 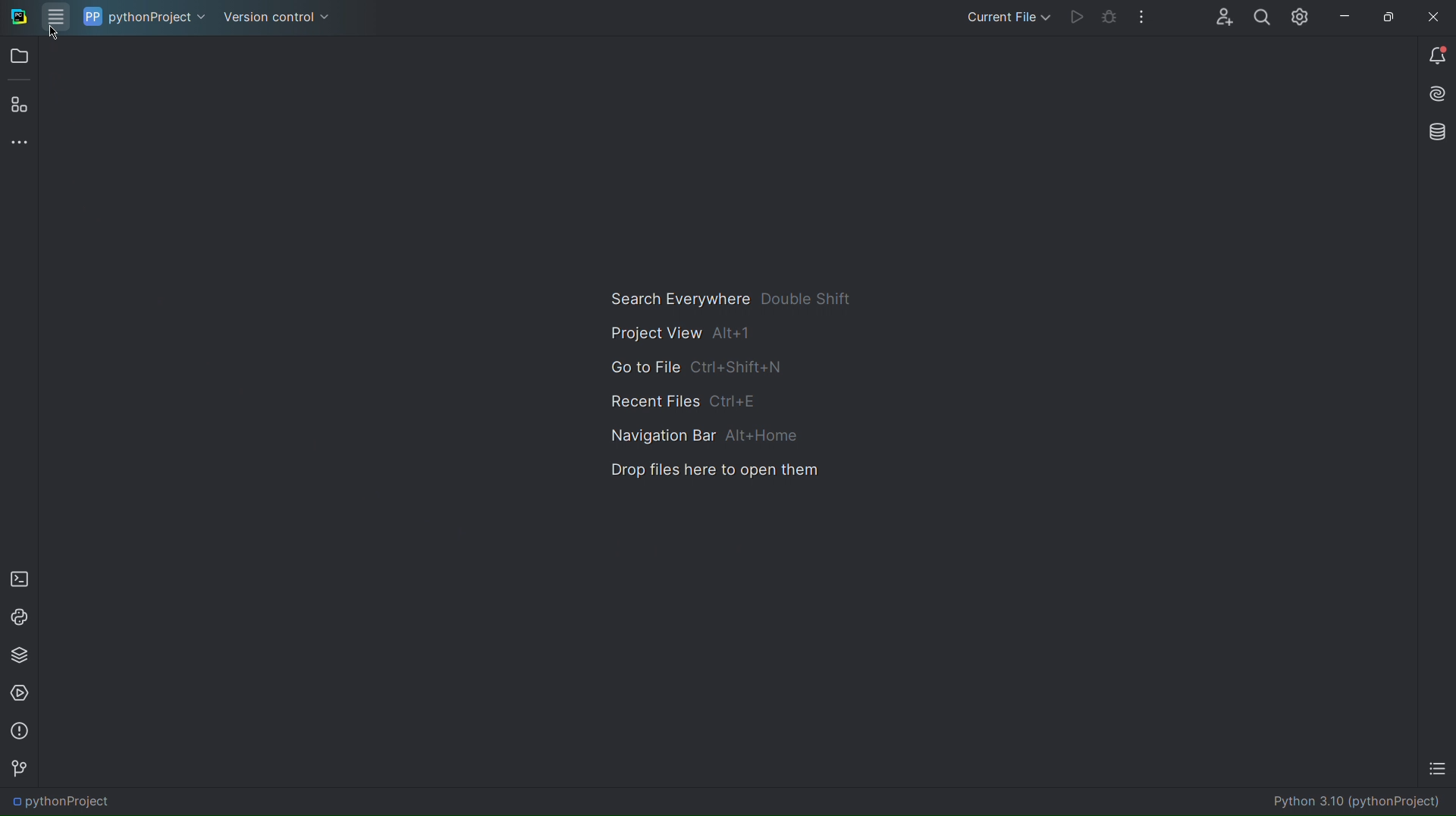 What do you see at coordinates (1077, 19) in the screenshot?
I see `Run` at bounding box center [1077, 19].